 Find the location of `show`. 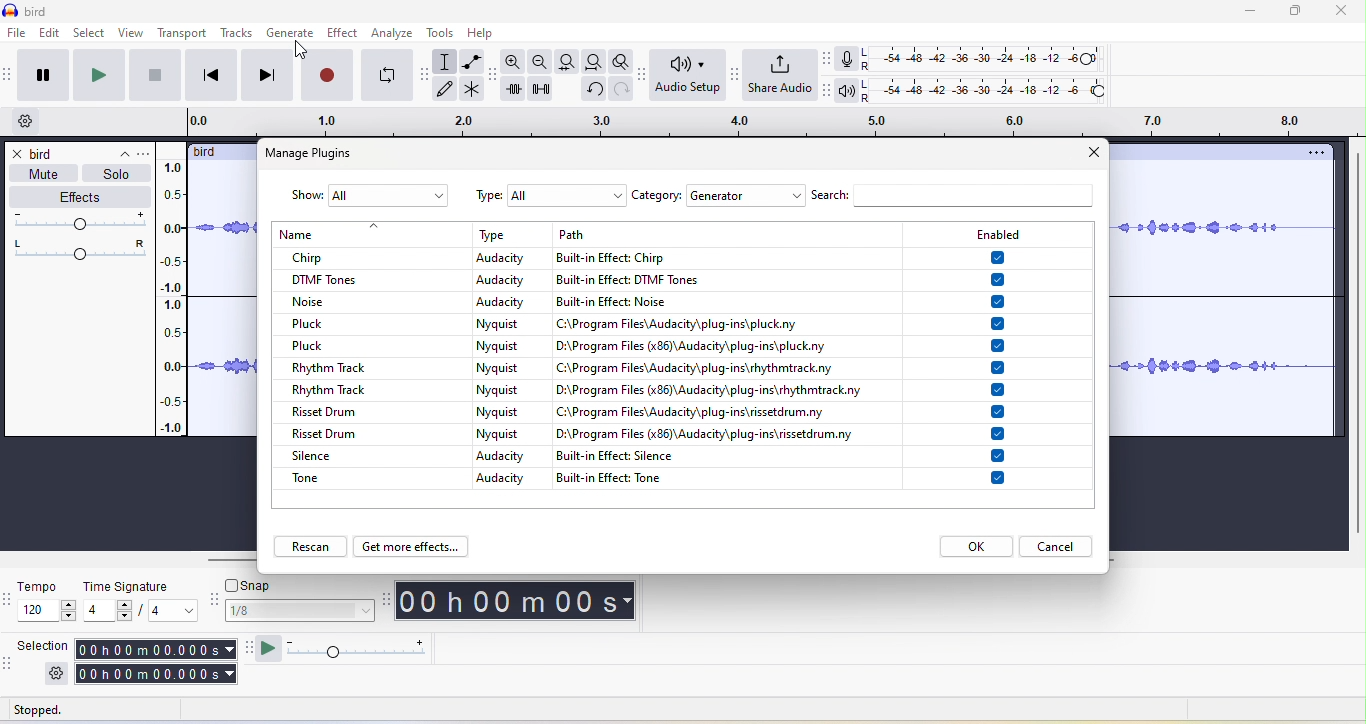

show is located at coordinates (304, 196).